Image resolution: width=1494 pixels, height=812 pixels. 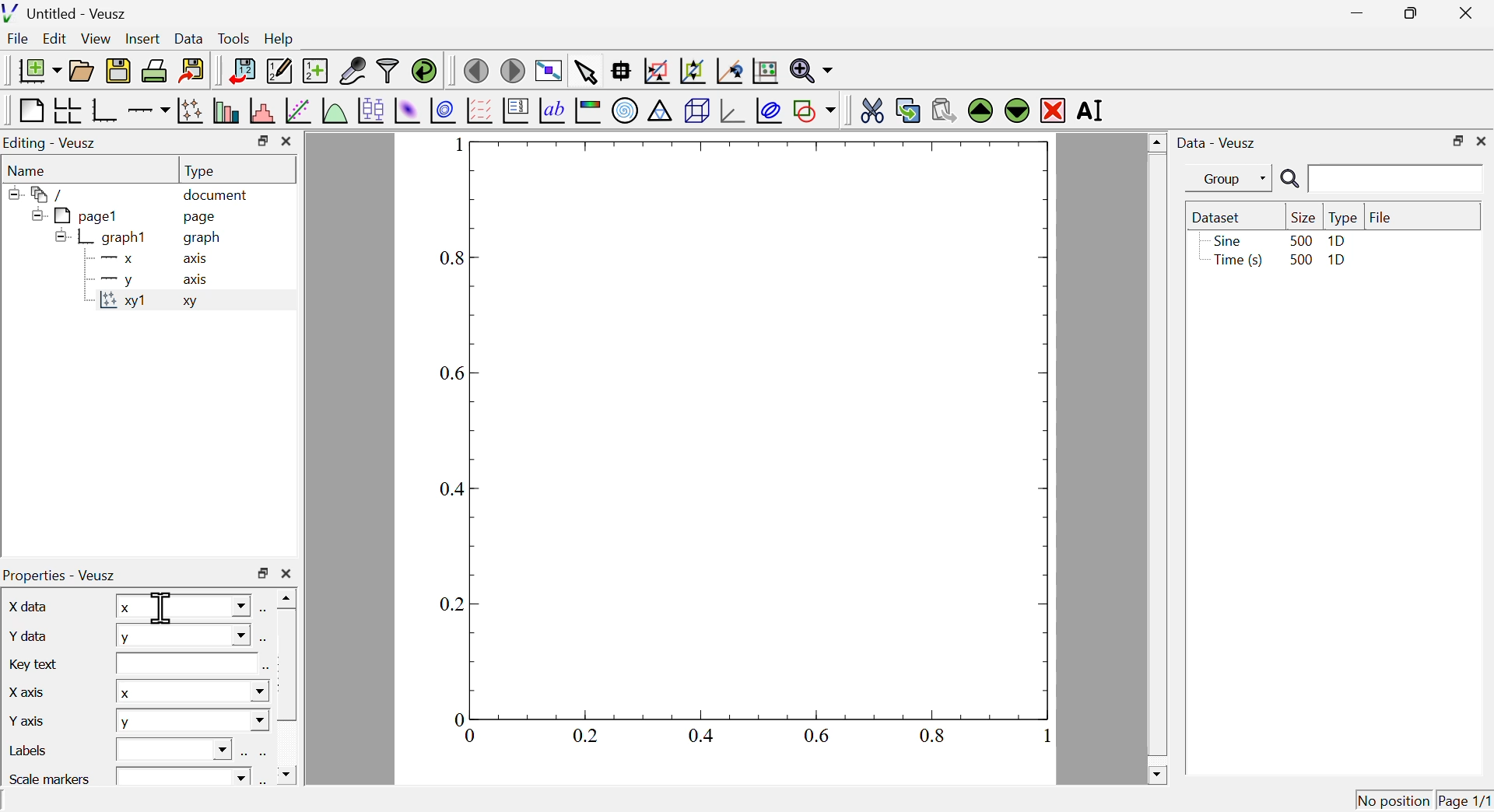 What do you see at coordinates (661, 113) in the screenshot?
I see `ternary graph` at bounding box center [661, 113].